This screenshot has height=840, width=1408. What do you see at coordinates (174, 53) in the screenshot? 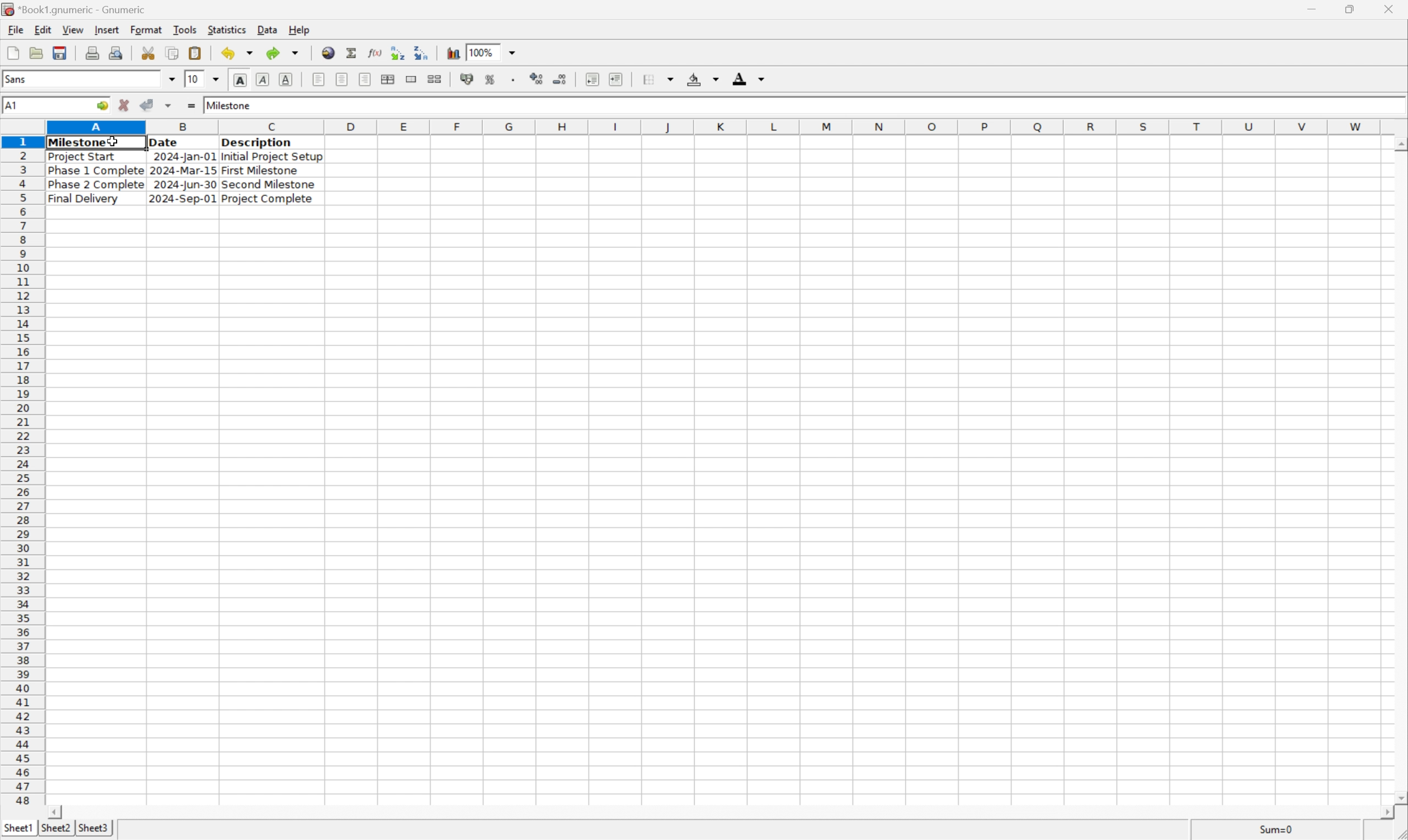
I see `copy from selection` at bounding box center [174, 53].